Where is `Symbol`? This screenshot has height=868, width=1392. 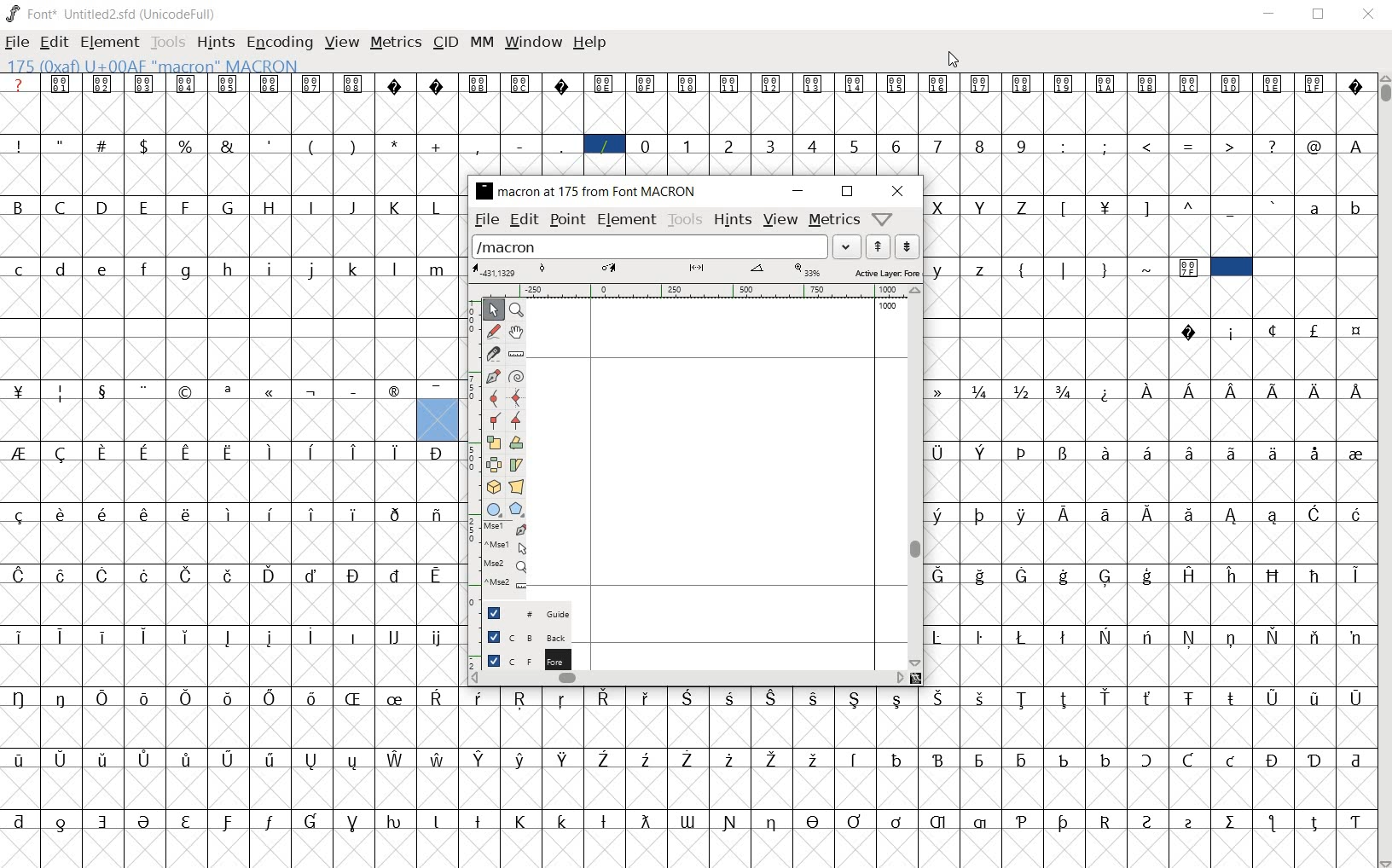 Symbol is located at coordinates (436, 85).